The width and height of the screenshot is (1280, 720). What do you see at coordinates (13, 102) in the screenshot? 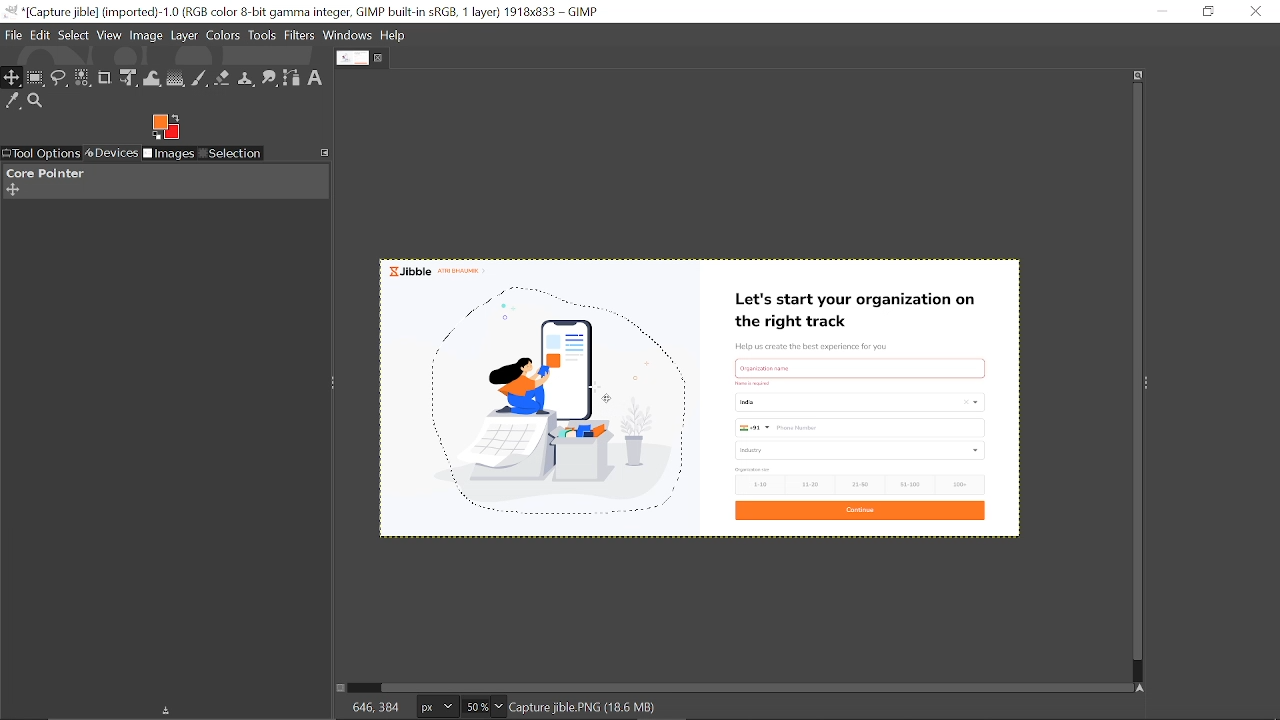
I see `Color picker tool` at bounding box center [13, 102].